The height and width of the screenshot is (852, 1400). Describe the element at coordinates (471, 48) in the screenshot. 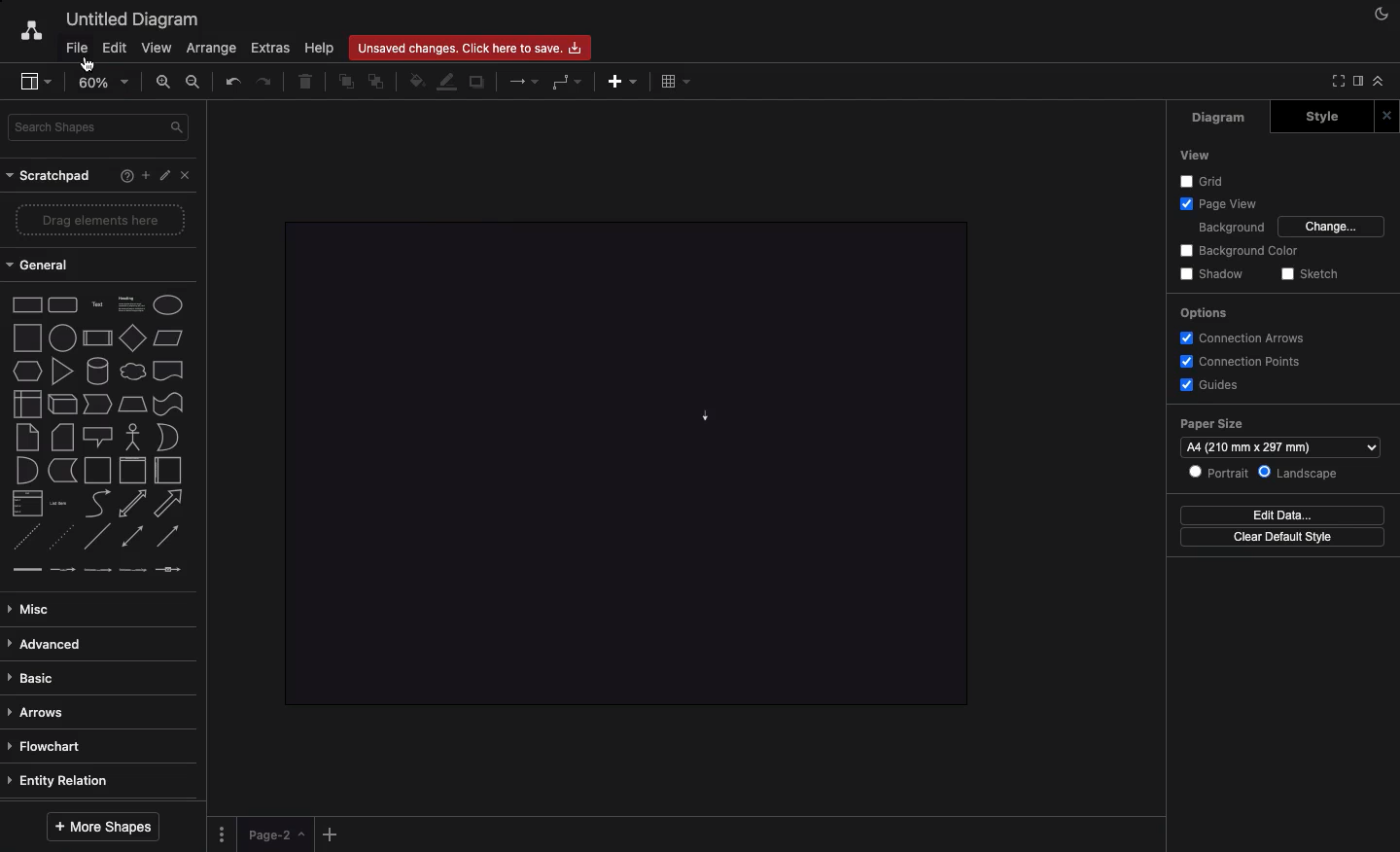

I see `Unsaved changes. Click here to save` at that location.